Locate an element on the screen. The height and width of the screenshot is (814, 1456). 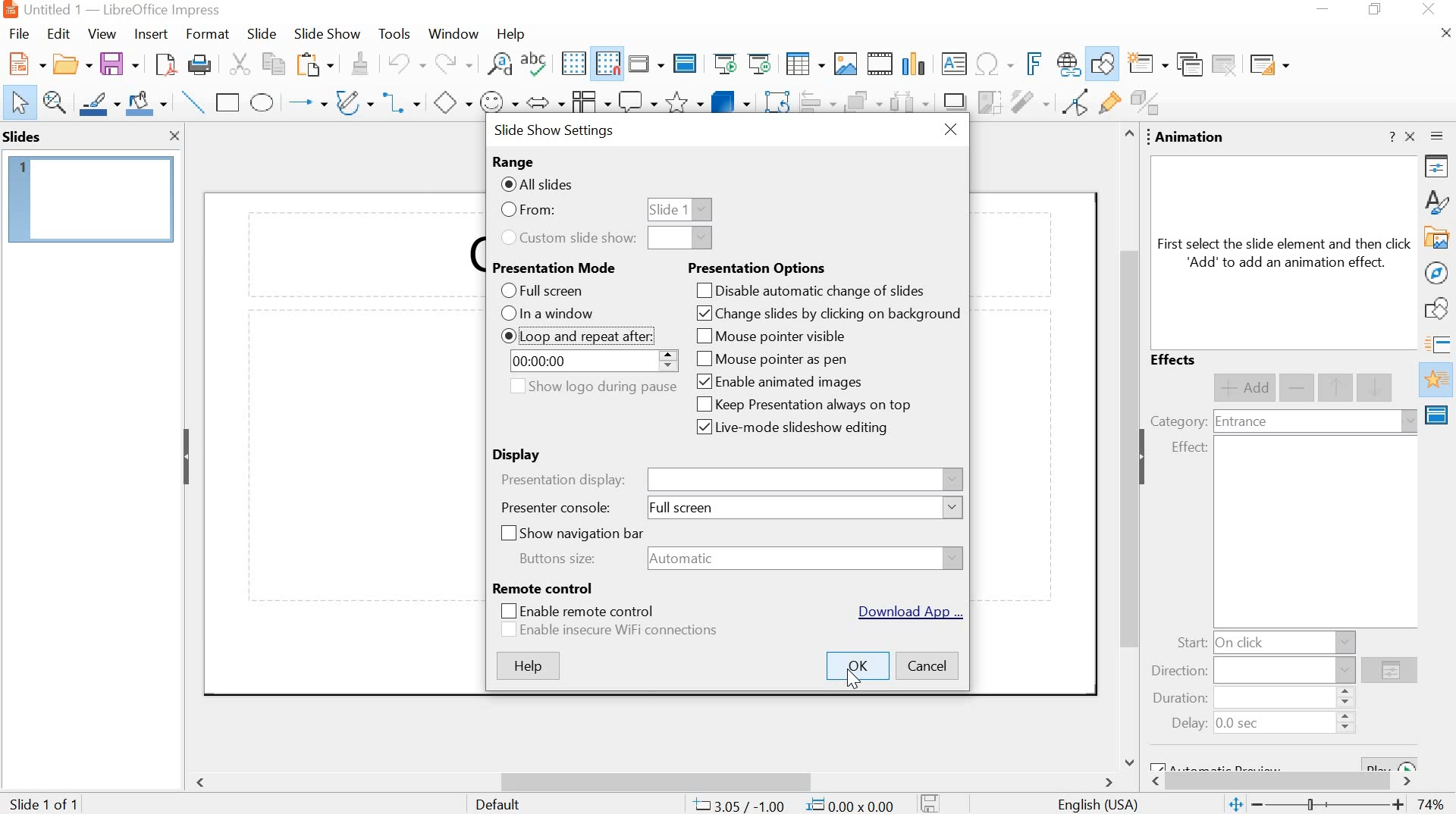
filter is located at coordinates (1029, 102).